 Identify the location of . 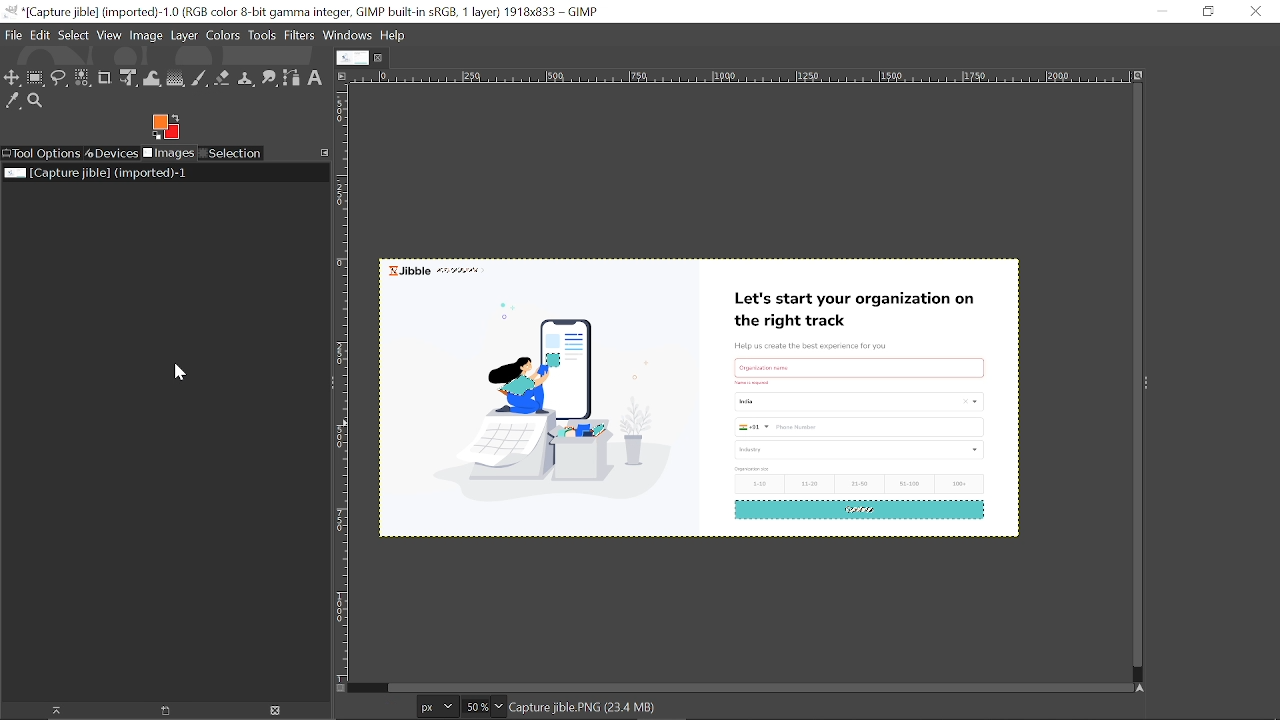
(393, 36).